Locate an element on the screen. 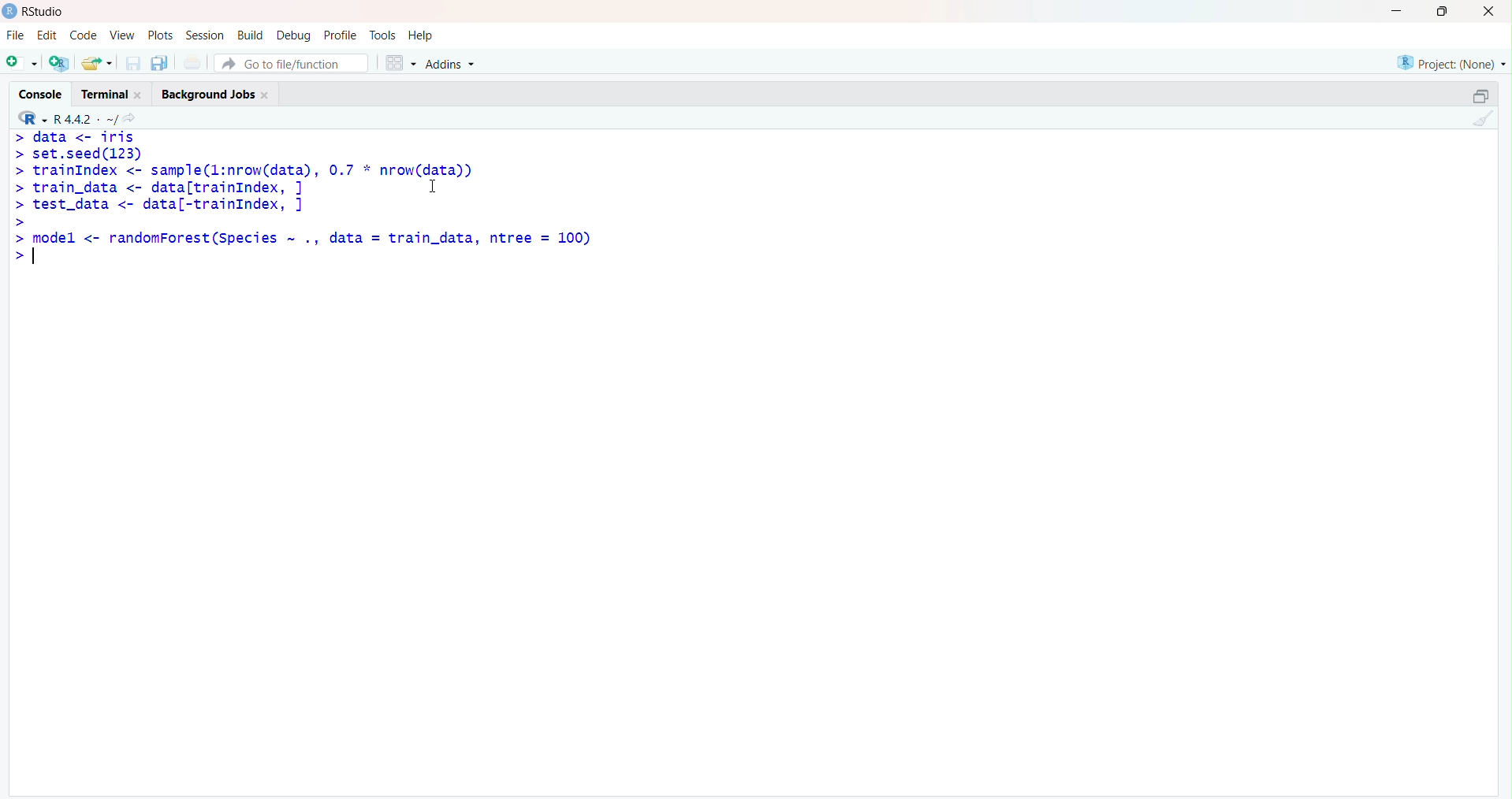  model <- randomForest(Species ~ ., data = train.) is located at coordinates (316, 238).